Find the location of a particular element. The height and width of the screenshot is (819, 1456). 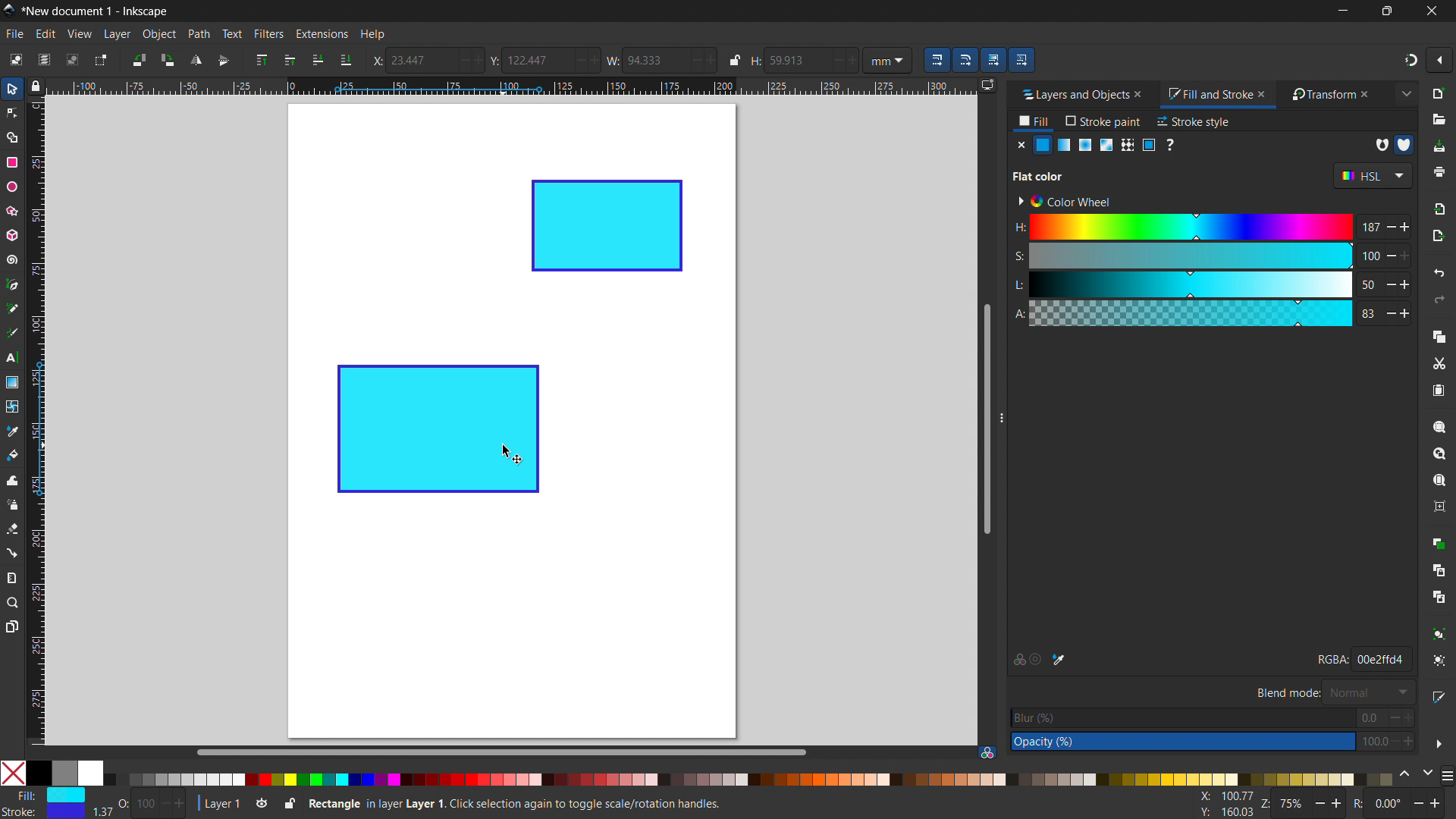

paste is located at coordinates (1438, 390).